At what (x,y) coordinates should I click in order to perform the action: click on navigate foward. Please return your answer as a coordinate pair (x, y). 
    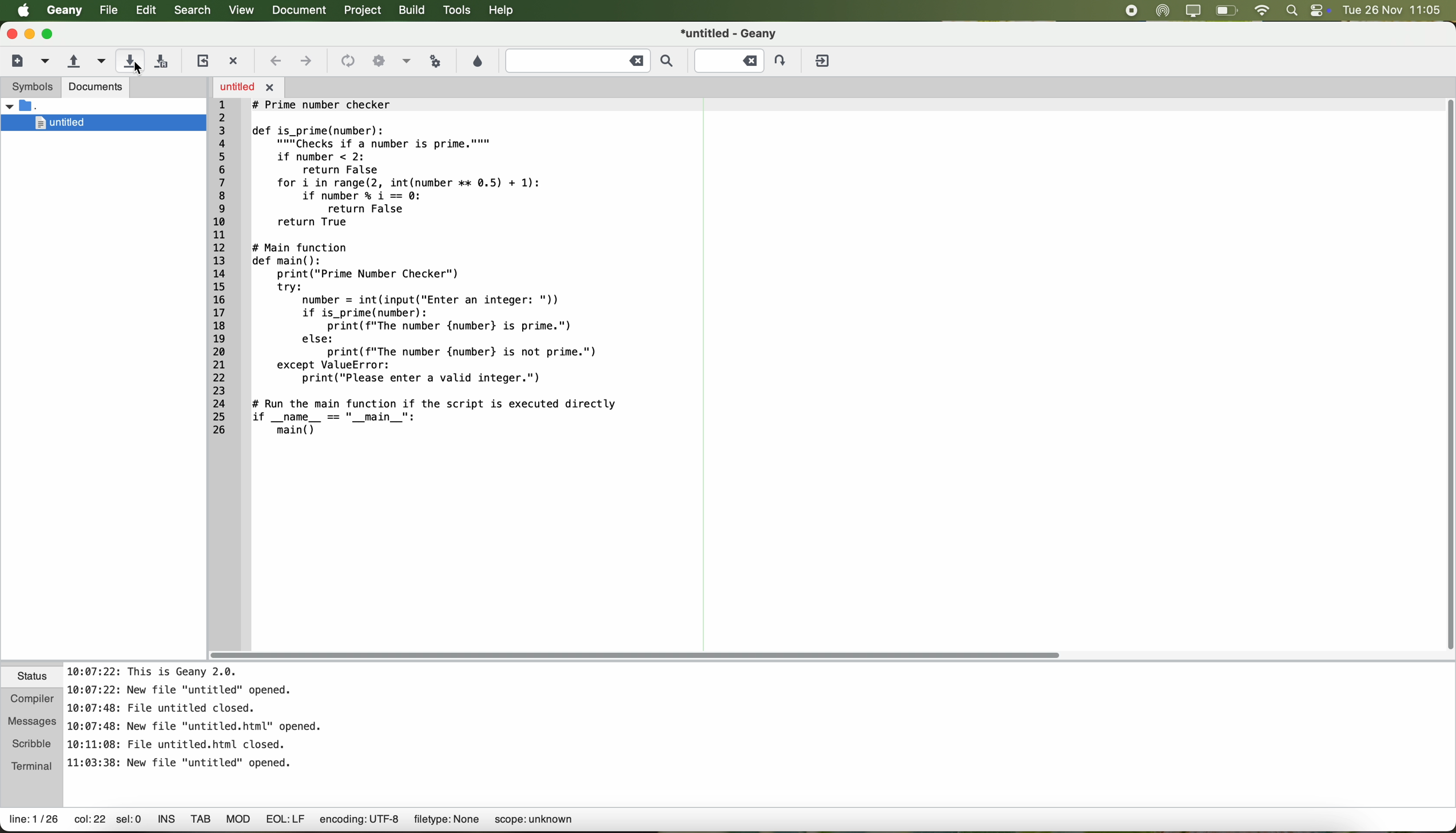
    Looking at the image, I should click on (307, 63).